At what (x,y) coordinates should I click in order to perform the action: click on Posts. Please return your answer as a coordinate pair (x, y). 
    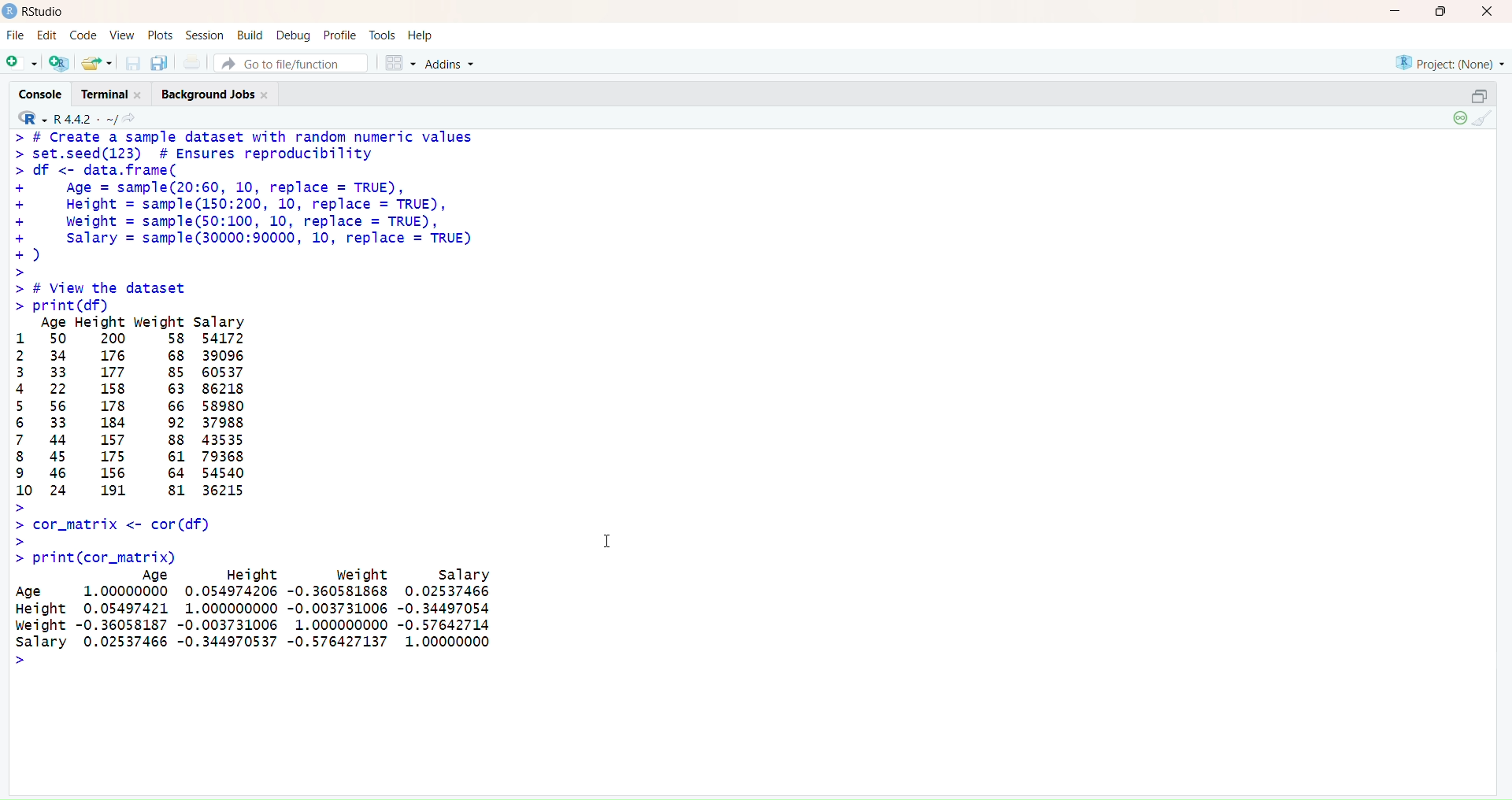
    Looking at the image, I should click on (157, 35).